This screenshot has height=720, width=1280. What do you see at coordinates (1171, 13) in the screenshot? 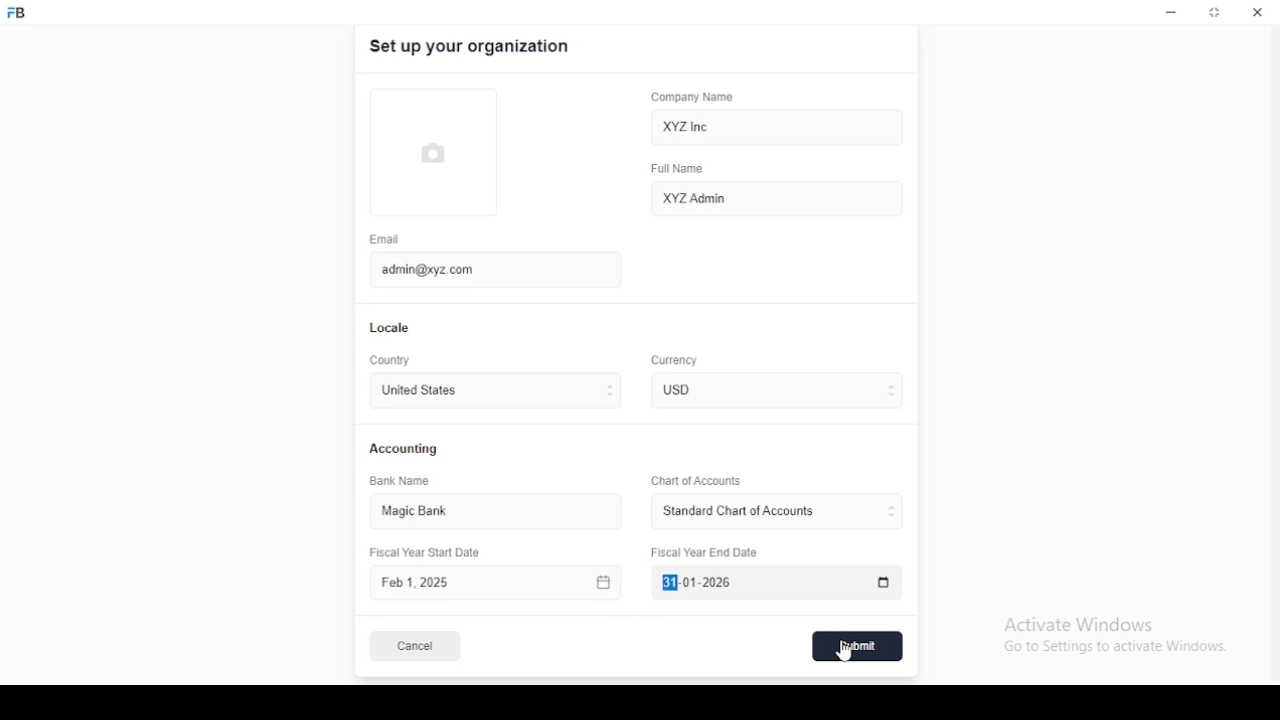
I see `minimize` at bounding box center [1171, 13].